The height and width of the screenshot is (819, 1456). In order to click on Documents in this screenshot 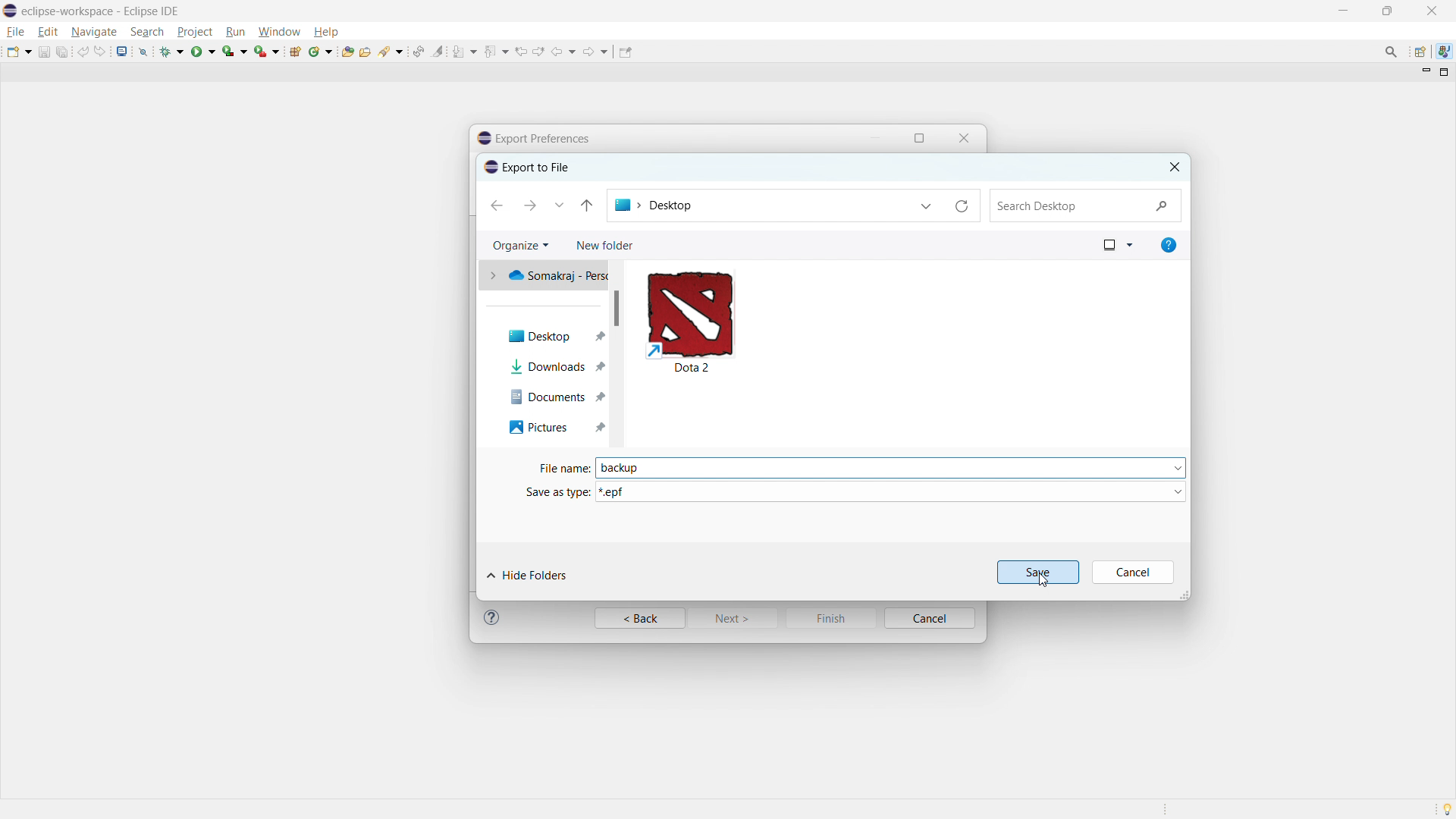, I will do `click(544, 398)`.